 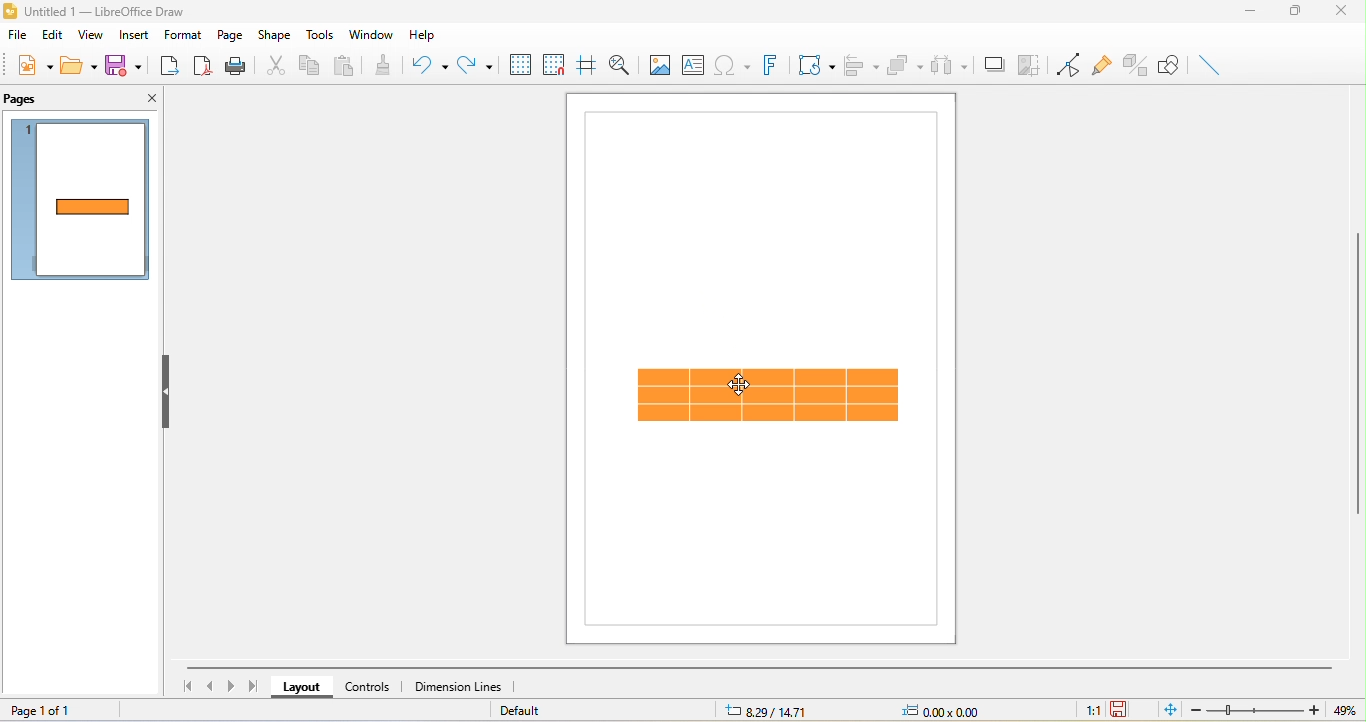 What do you see at coordinates (150, 97) in the screenshot?
I see `close` at bounding box center [150, 97].